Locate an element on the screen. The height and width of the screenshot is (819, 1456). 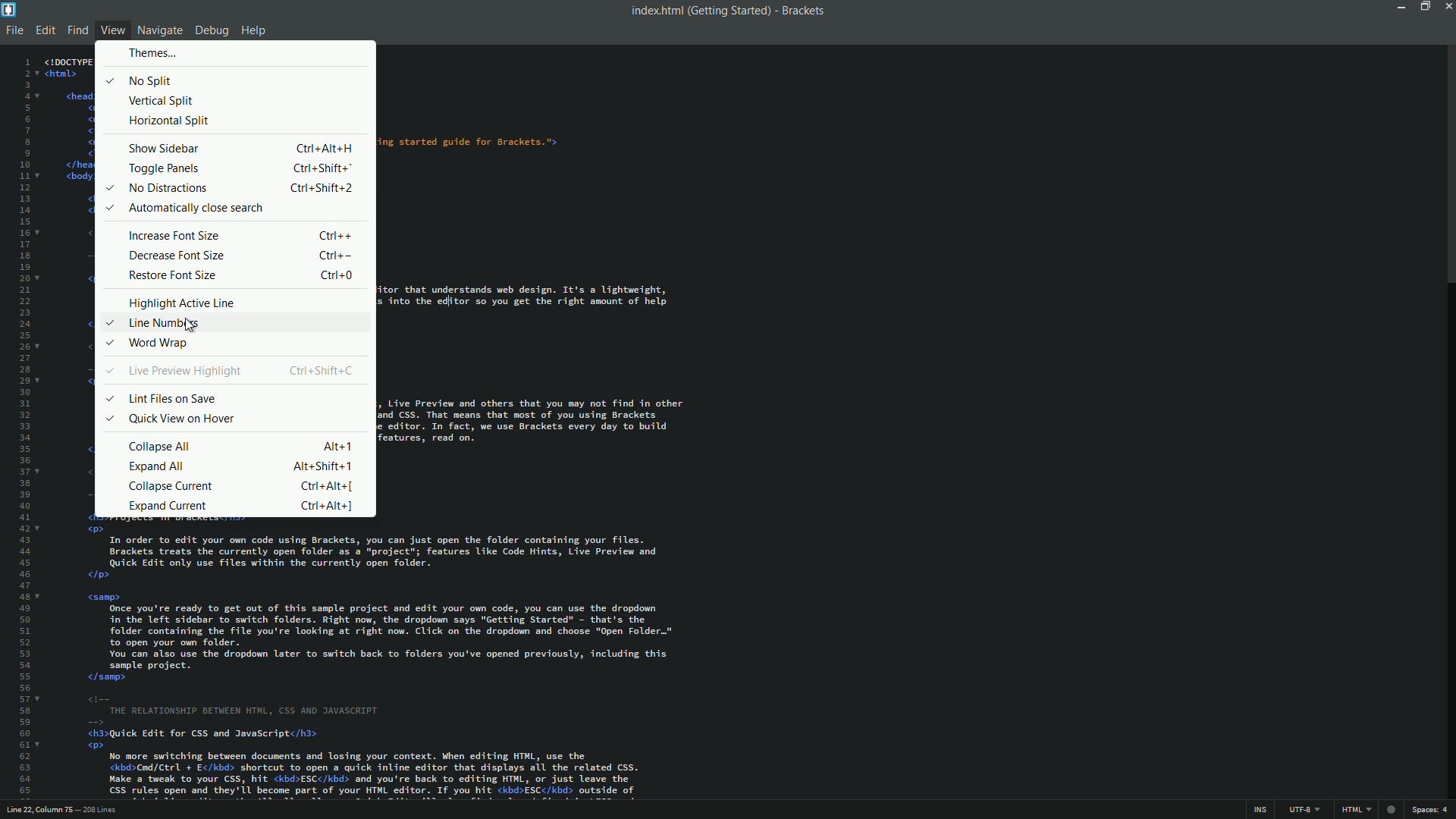
code is located at coordinates (532, 303).